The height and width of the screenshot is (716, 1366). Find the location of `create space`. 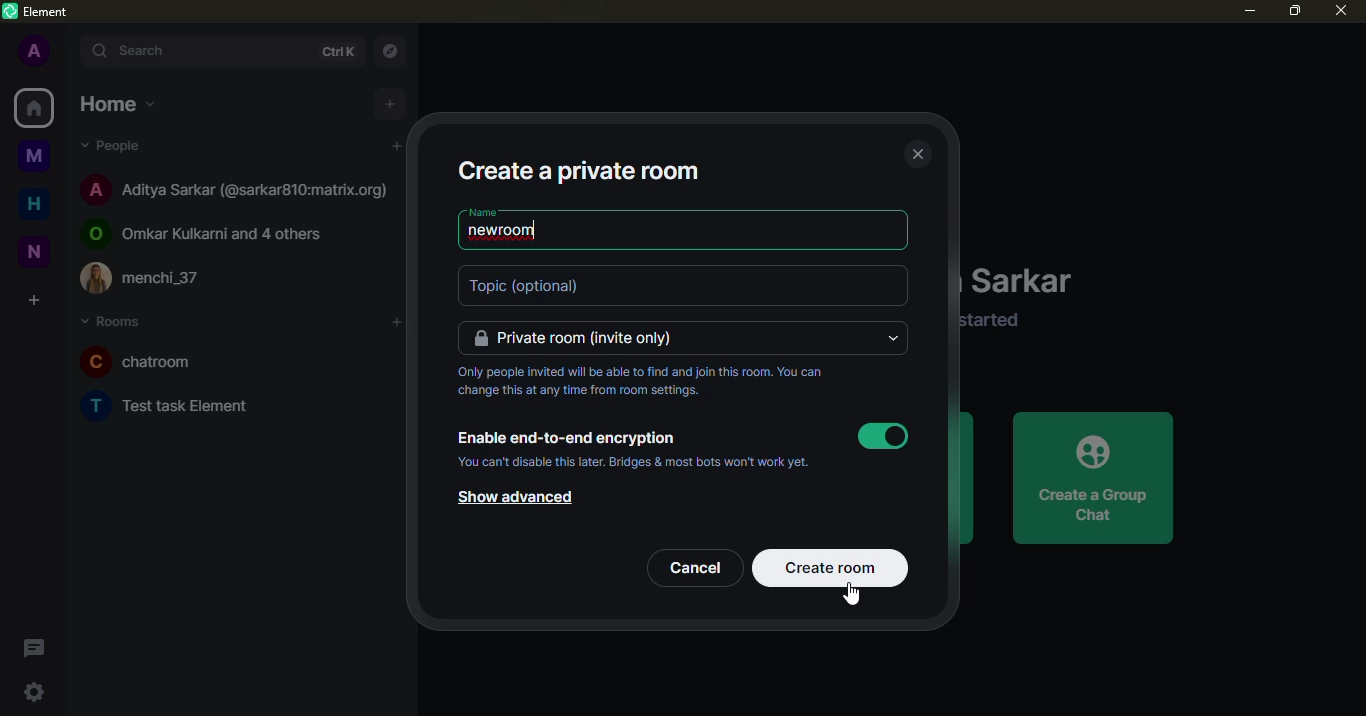

create space is located at coordinates (40, 300).